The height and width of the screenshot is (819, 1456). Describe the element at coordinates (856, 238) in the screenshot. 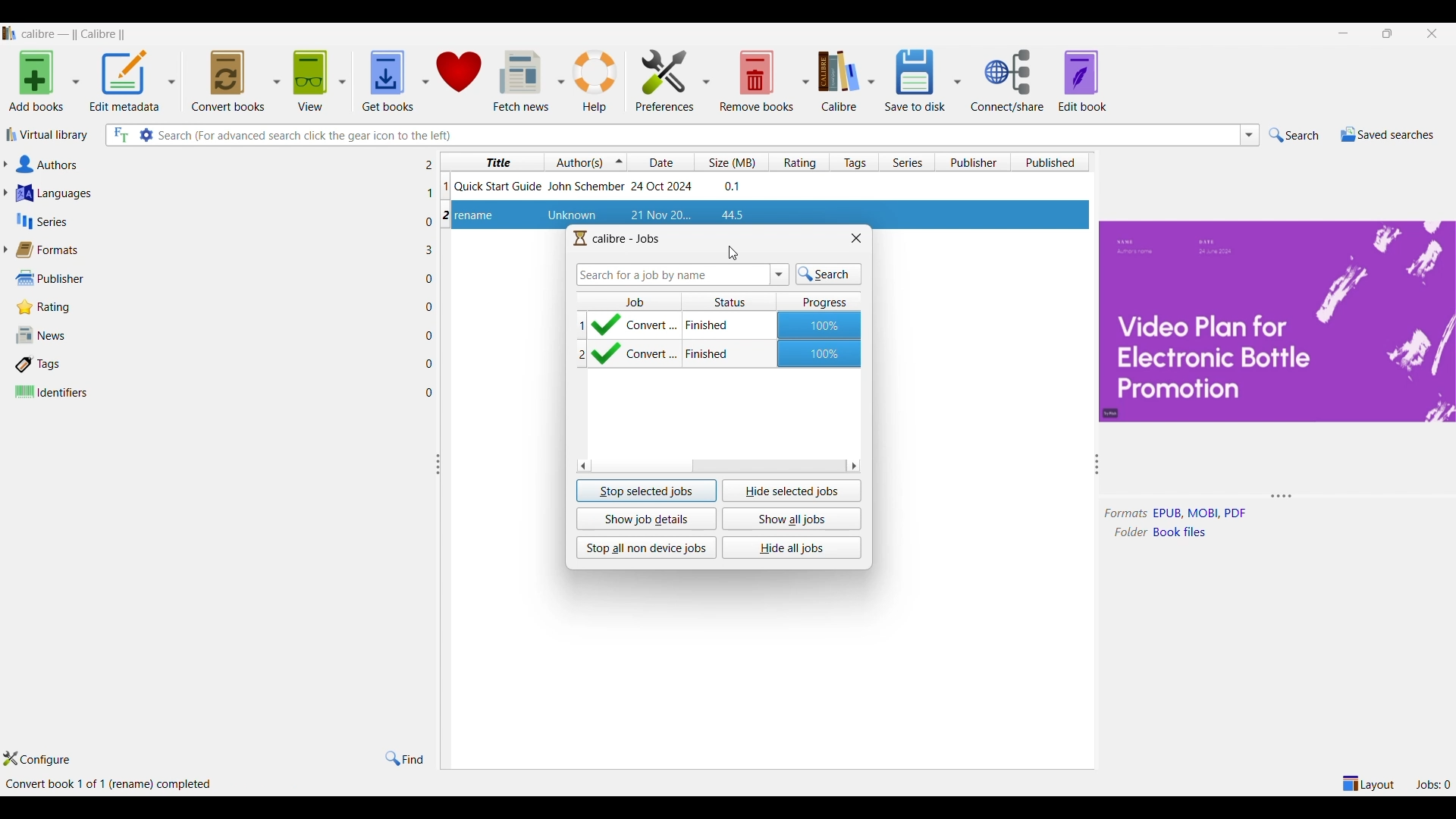

I see `Close` at that location.